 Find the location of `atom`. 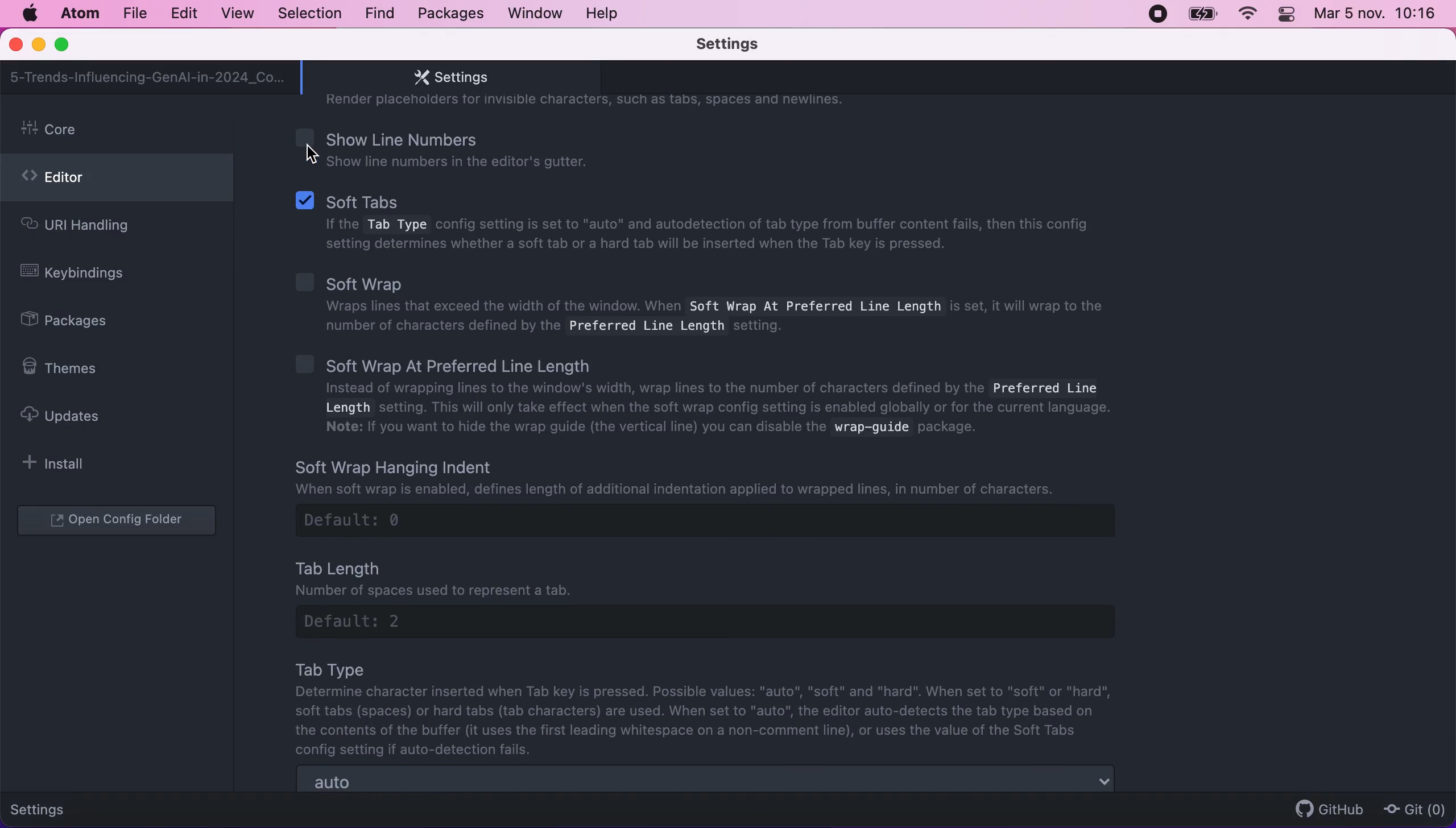

atom is located at coordinates (79, 13).